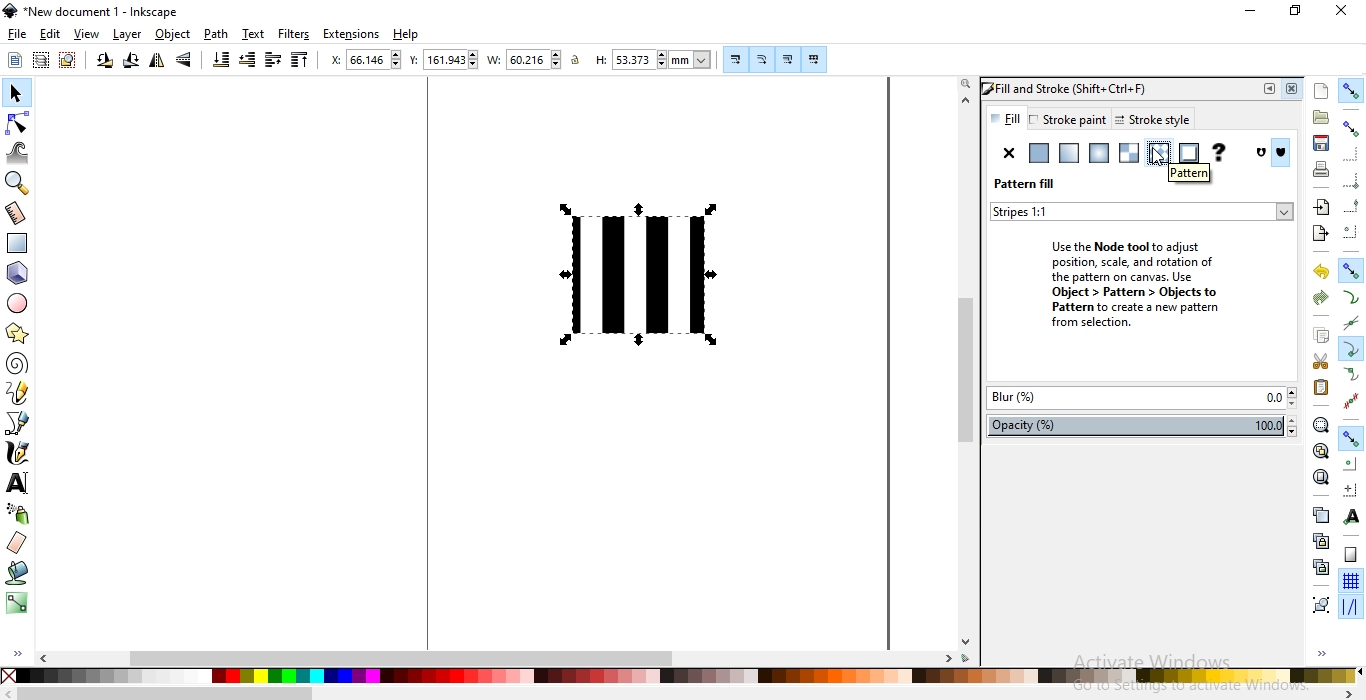 The image size is (1366, 700). Describe the element at coordinates (17, 514) in the screenshot. I see `spray objects by sculpting or painting` at that location.